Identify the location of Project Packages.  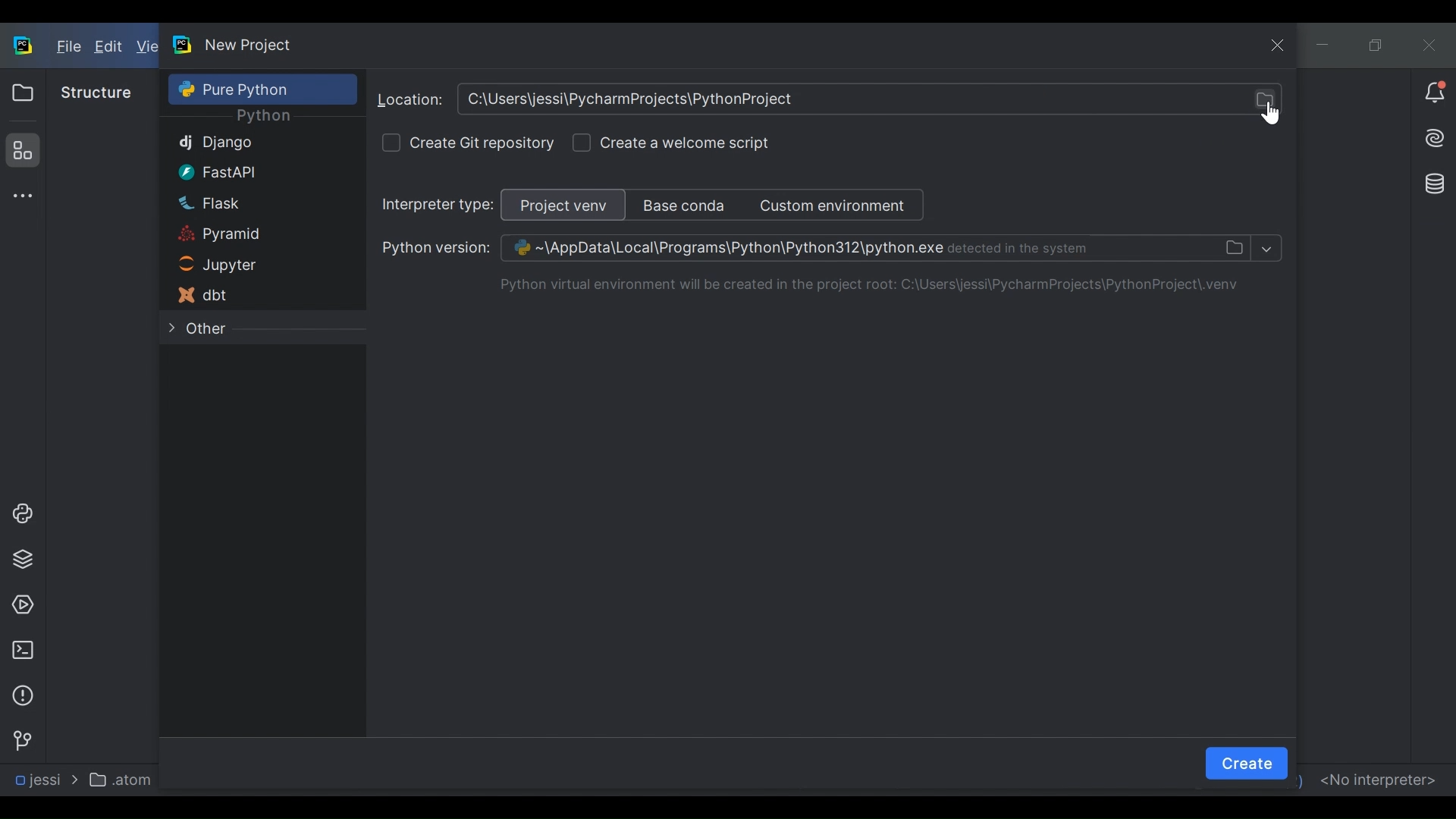
(20, 560).